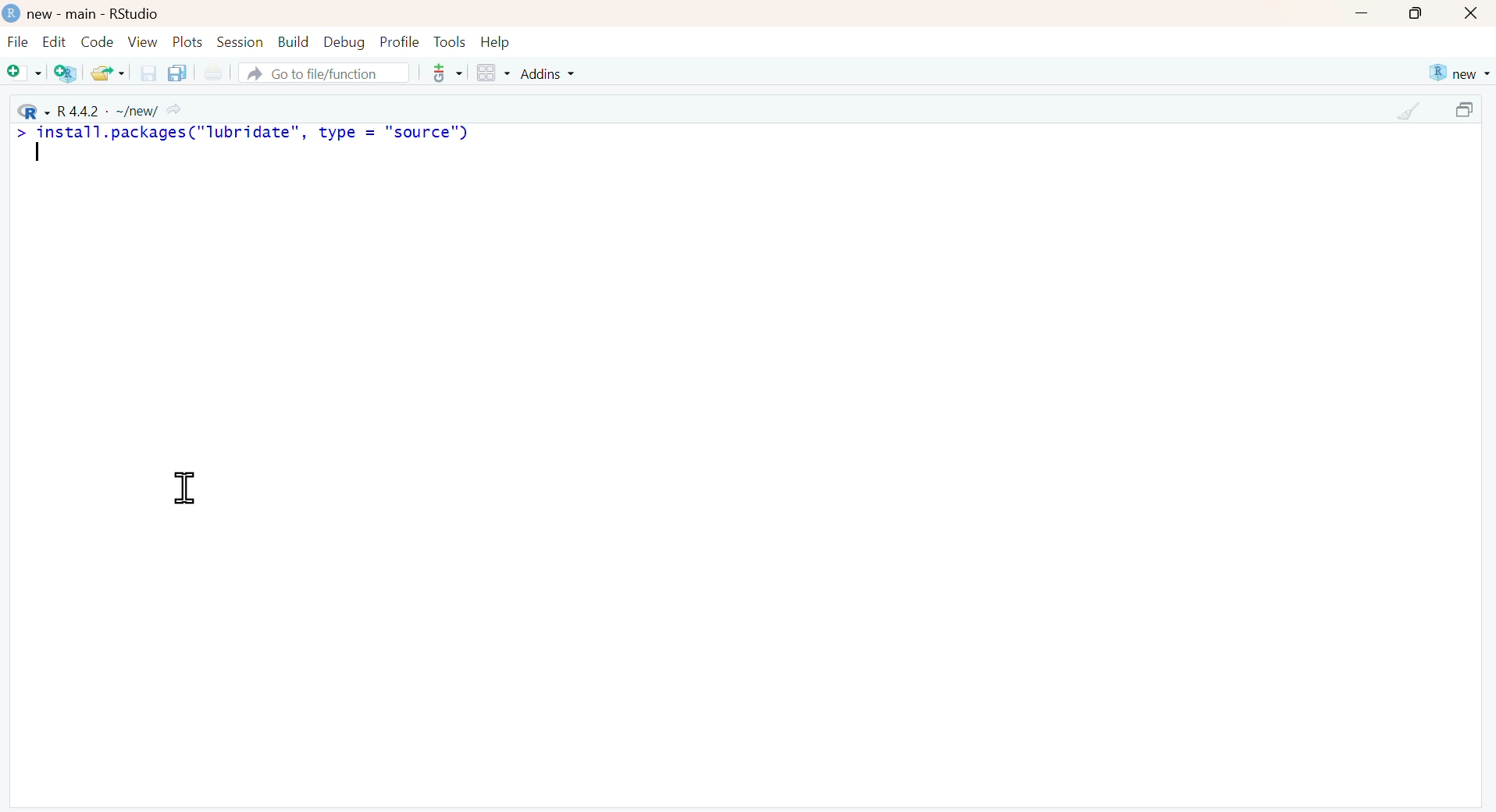 This screenshot has width=1496, height=812. I want to click on Go to file/function, so click(322, 73).